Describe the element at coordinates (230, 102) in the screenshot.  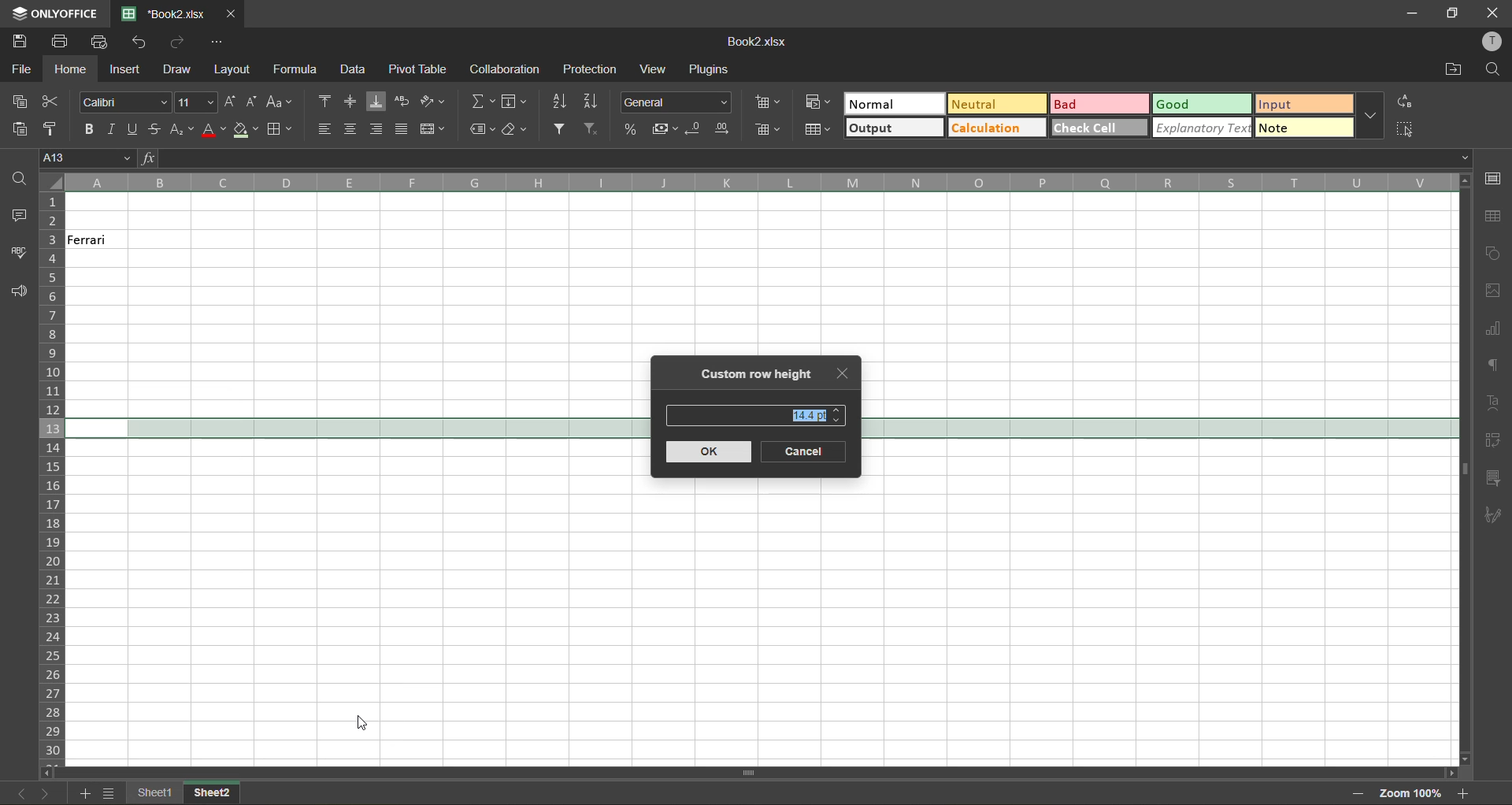
I see `increment size` at that location.